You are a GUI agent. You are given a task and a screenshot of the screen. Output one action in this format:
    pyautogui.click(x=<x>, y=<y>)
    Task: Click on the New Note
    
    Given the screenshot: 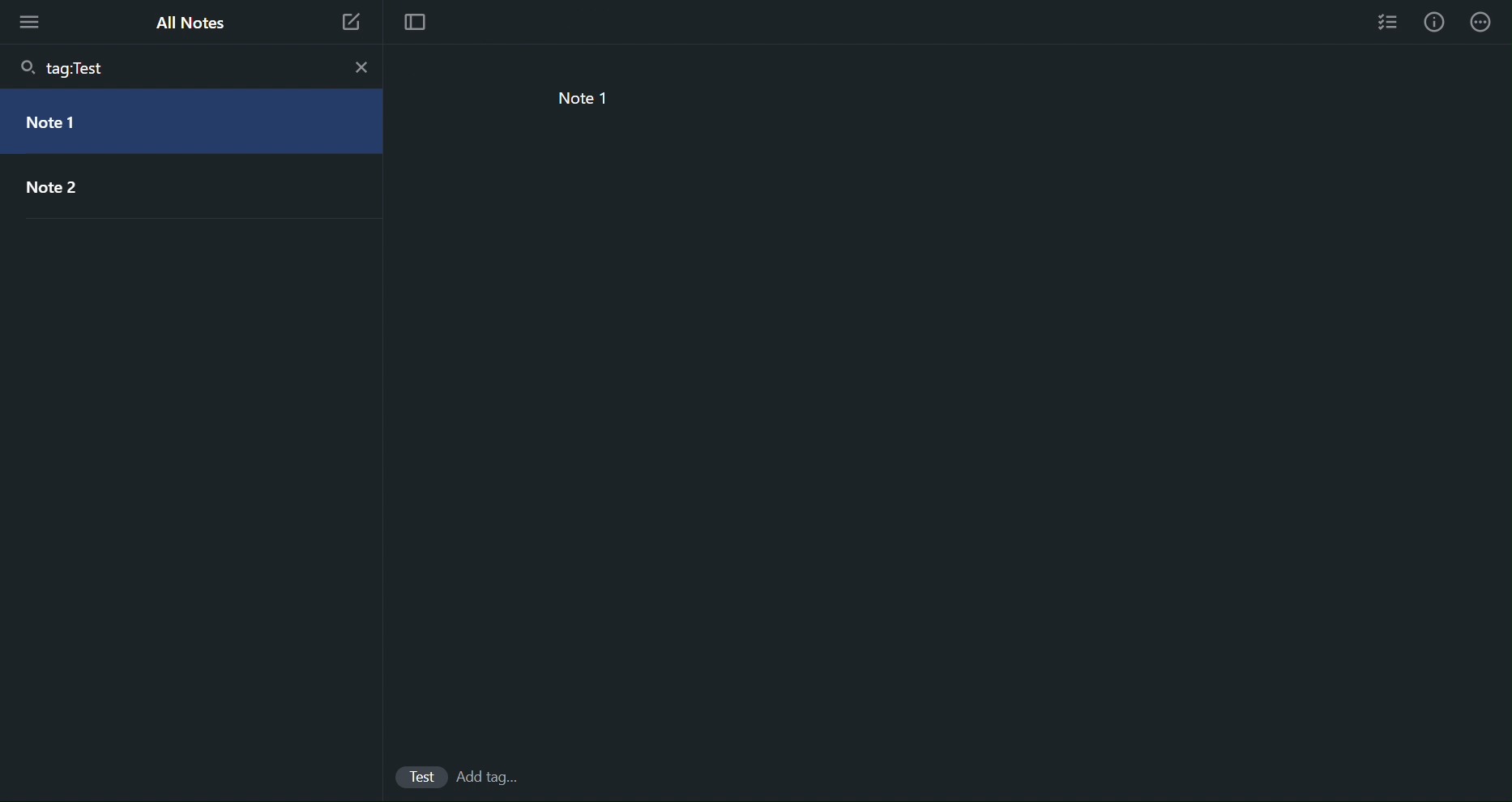 What is the action you would take?
    pyautogui.click(x=351, y=23)
    